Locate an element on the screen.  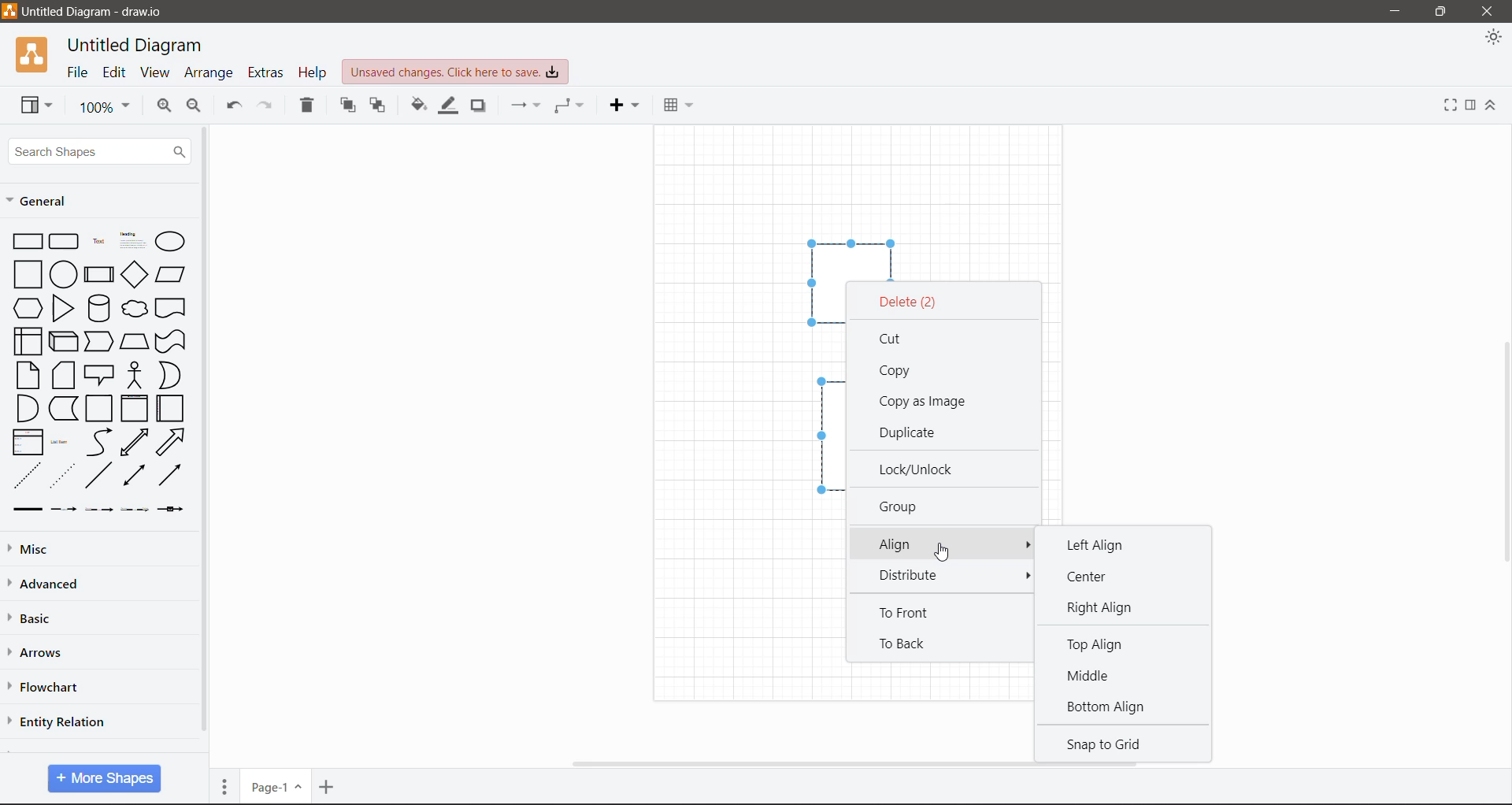
Shadow is located at coordinates (477, 108).